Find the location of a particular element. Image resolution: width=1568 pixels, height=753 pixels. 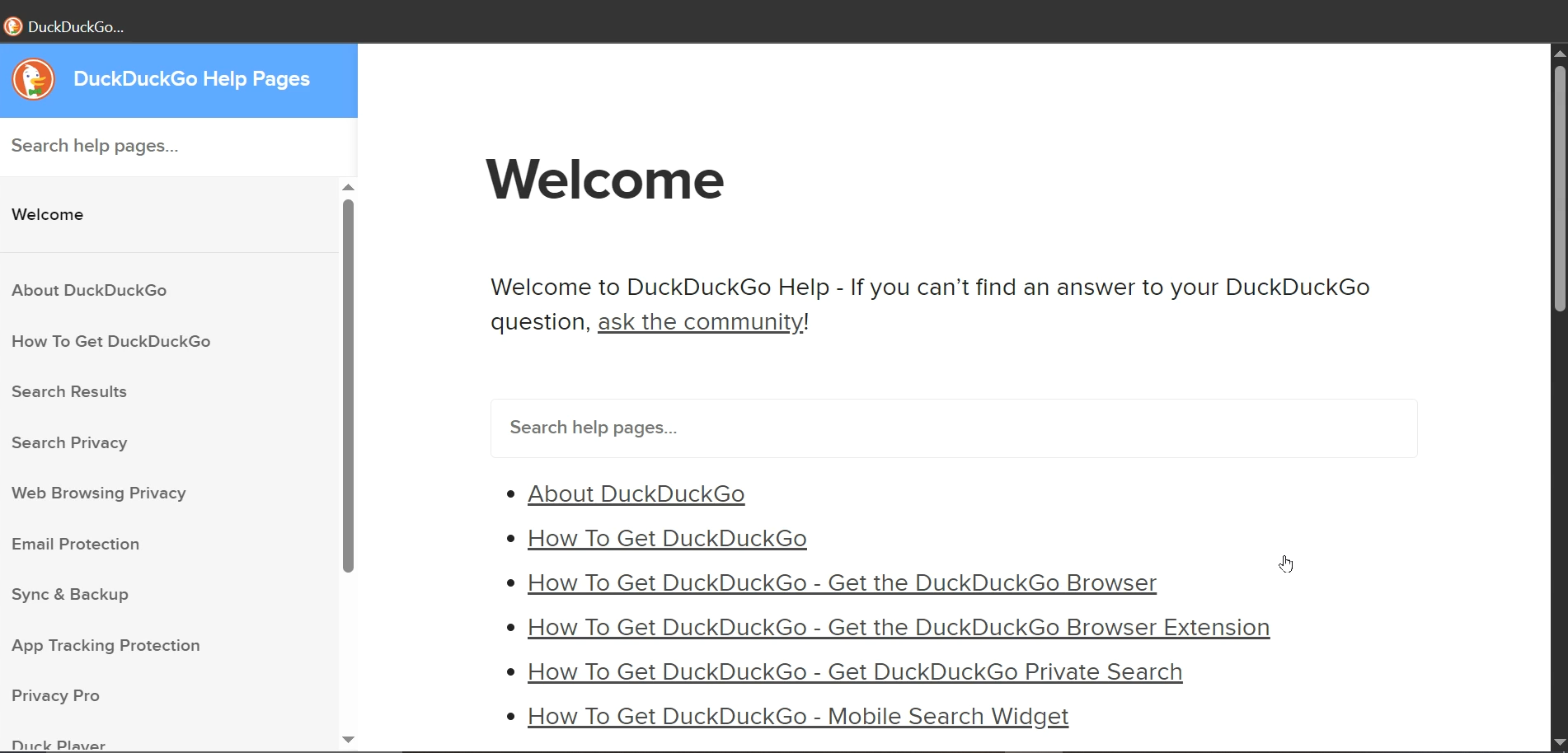

question, is located at coordinates (538, 325).